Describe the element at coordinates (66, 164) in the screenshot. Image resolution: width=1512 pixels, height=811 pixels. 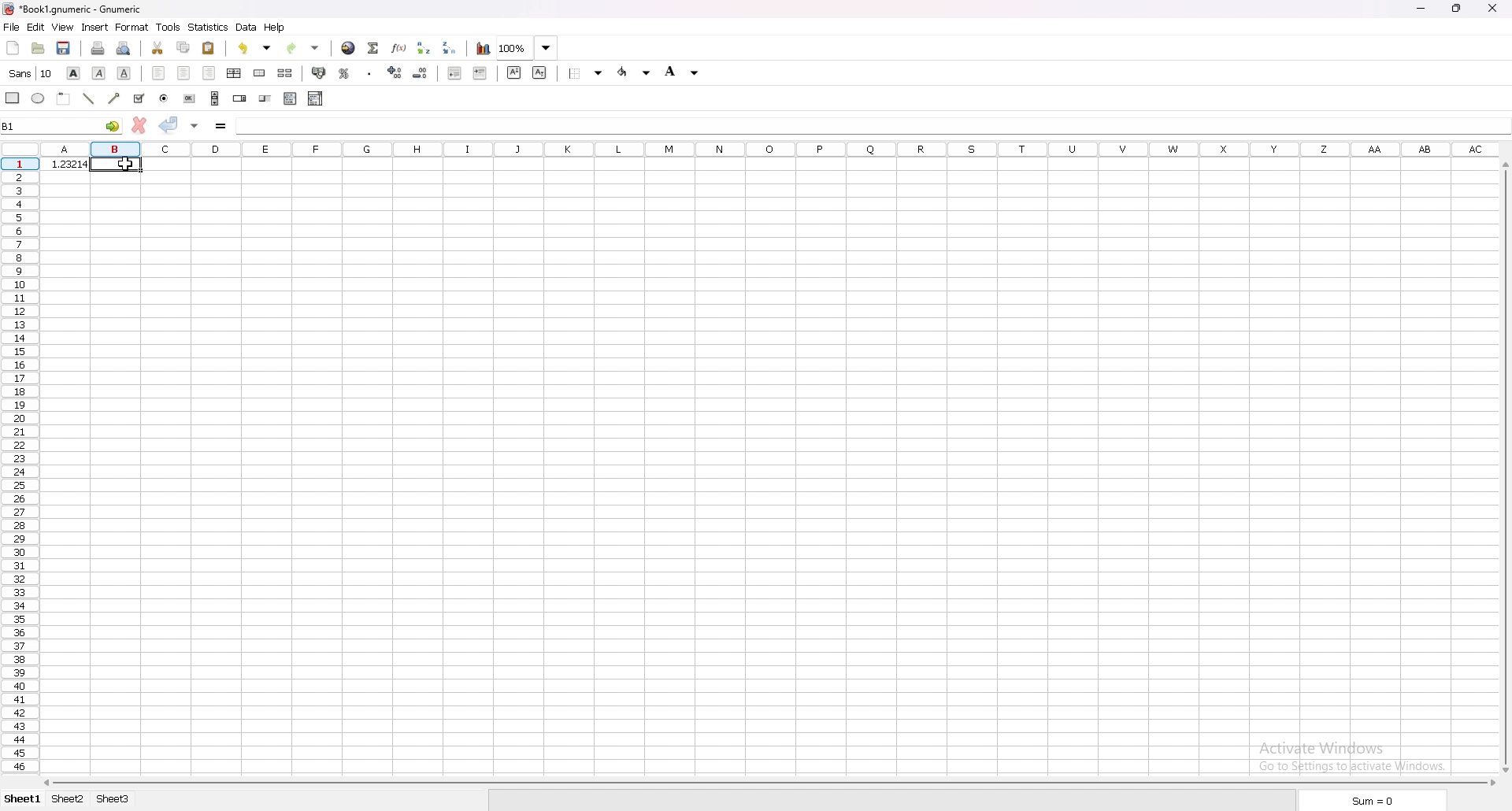
I see `number` at that location.